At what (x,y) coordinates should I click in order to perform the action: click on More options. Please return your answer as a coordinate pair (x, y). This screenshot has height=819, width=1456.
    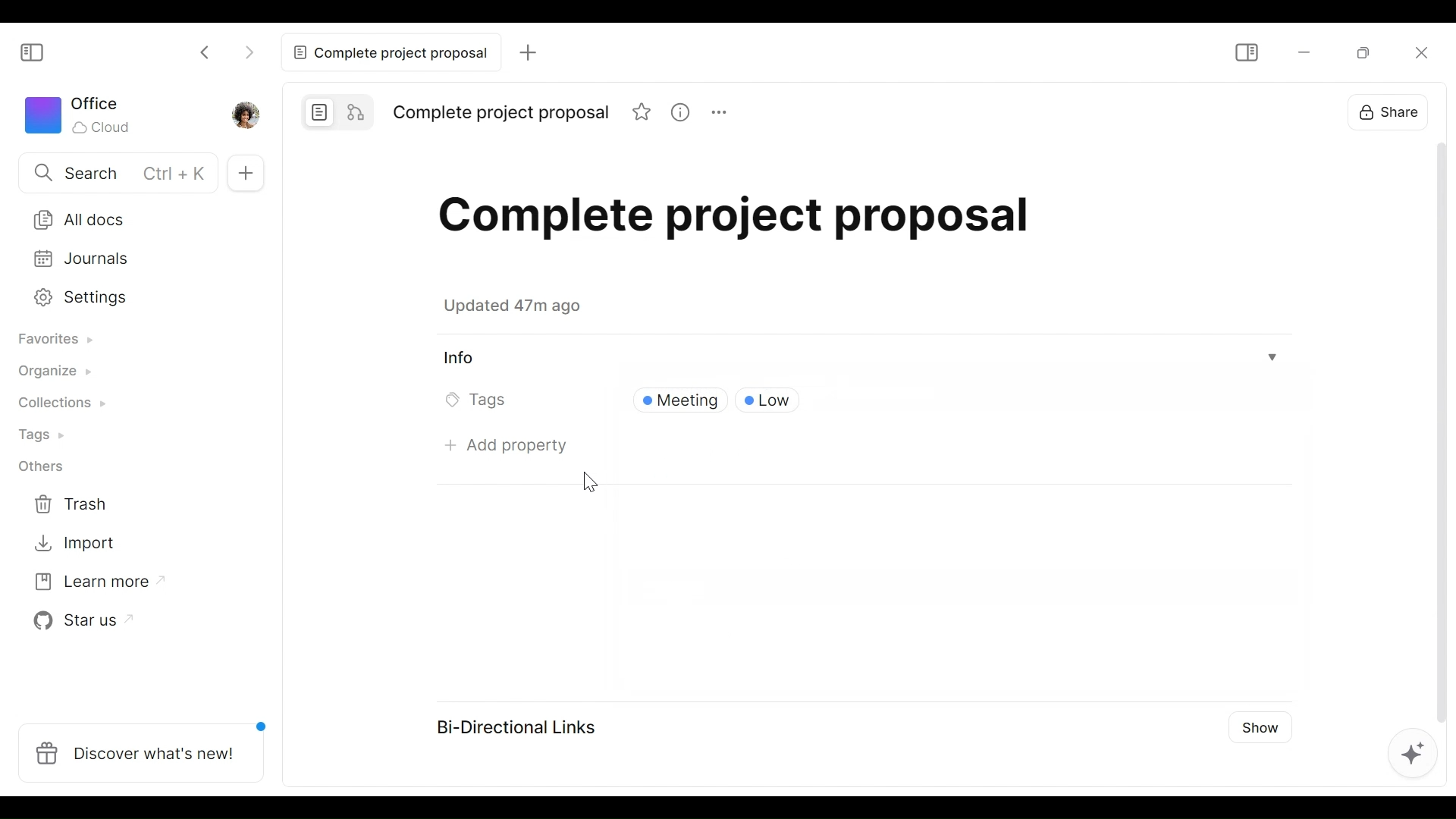
    Looking at the image, I should click on (717, 111).